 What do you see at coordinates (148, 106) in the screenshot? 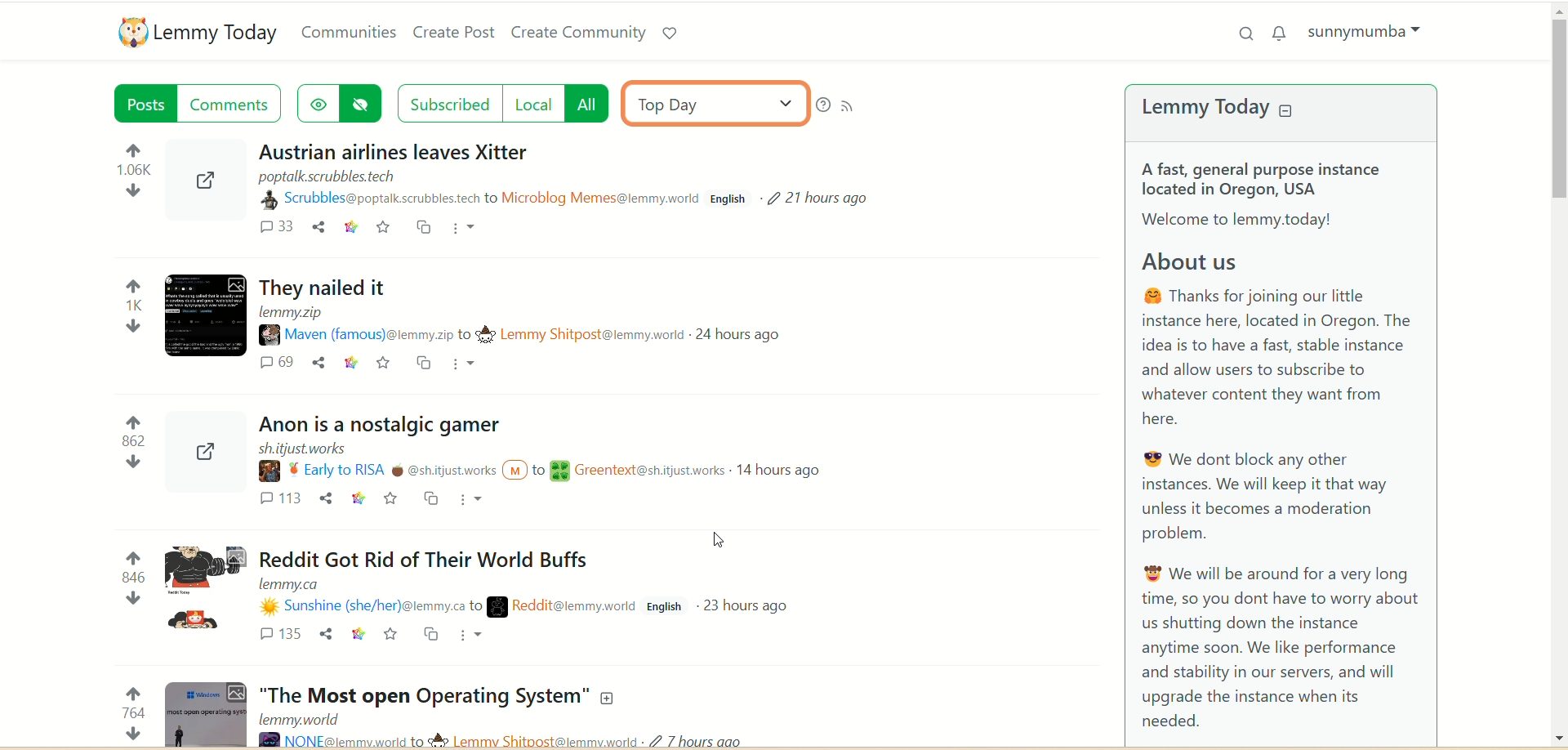
I see `posts` at bounding box center [148, 106].